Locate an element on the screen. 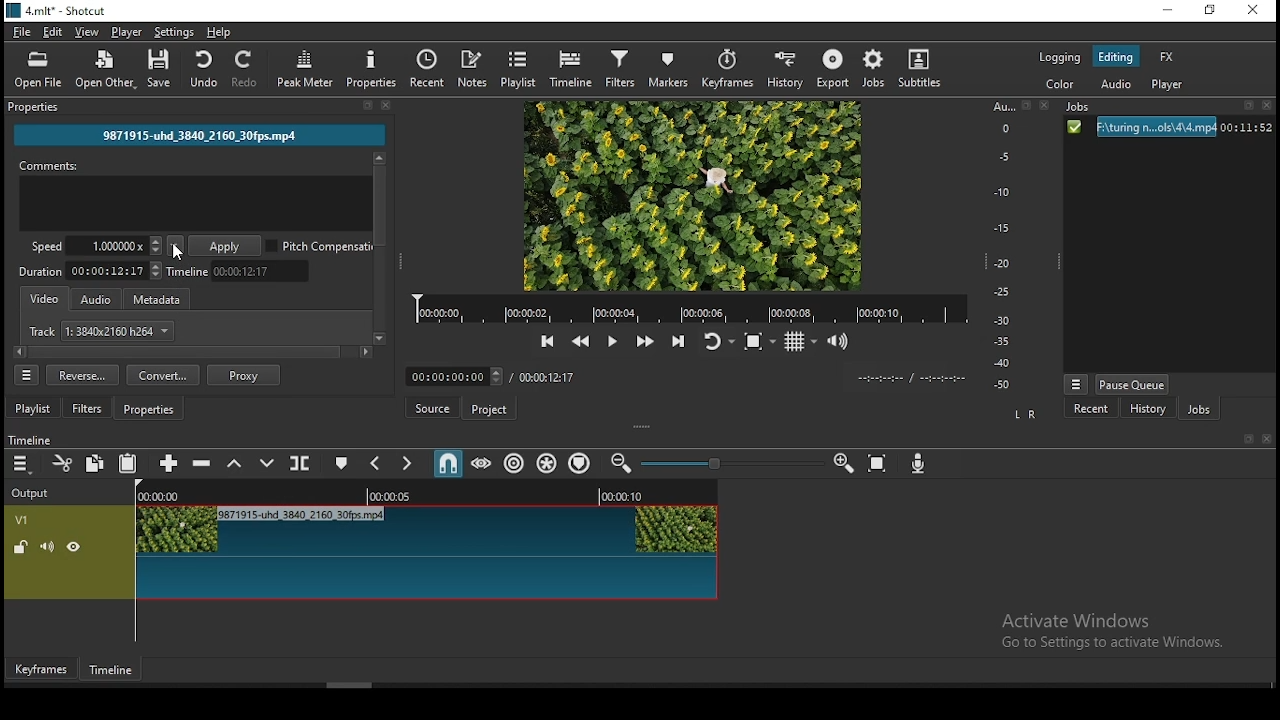 The width and height of the screenshot is (1280, 720). subtitles is located at coordinates (919, 67).